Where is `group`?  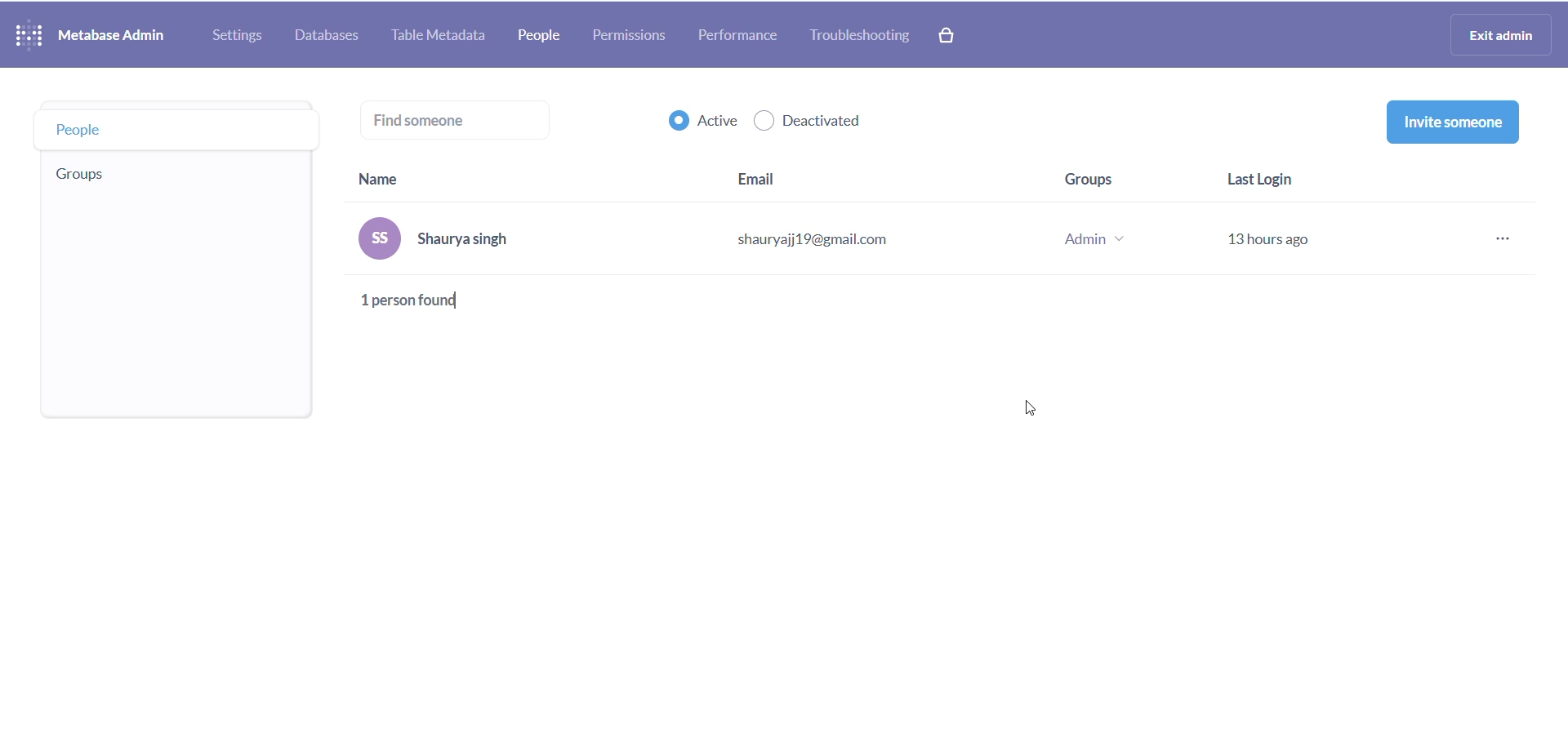
group is located at coordinates (1108, 244).